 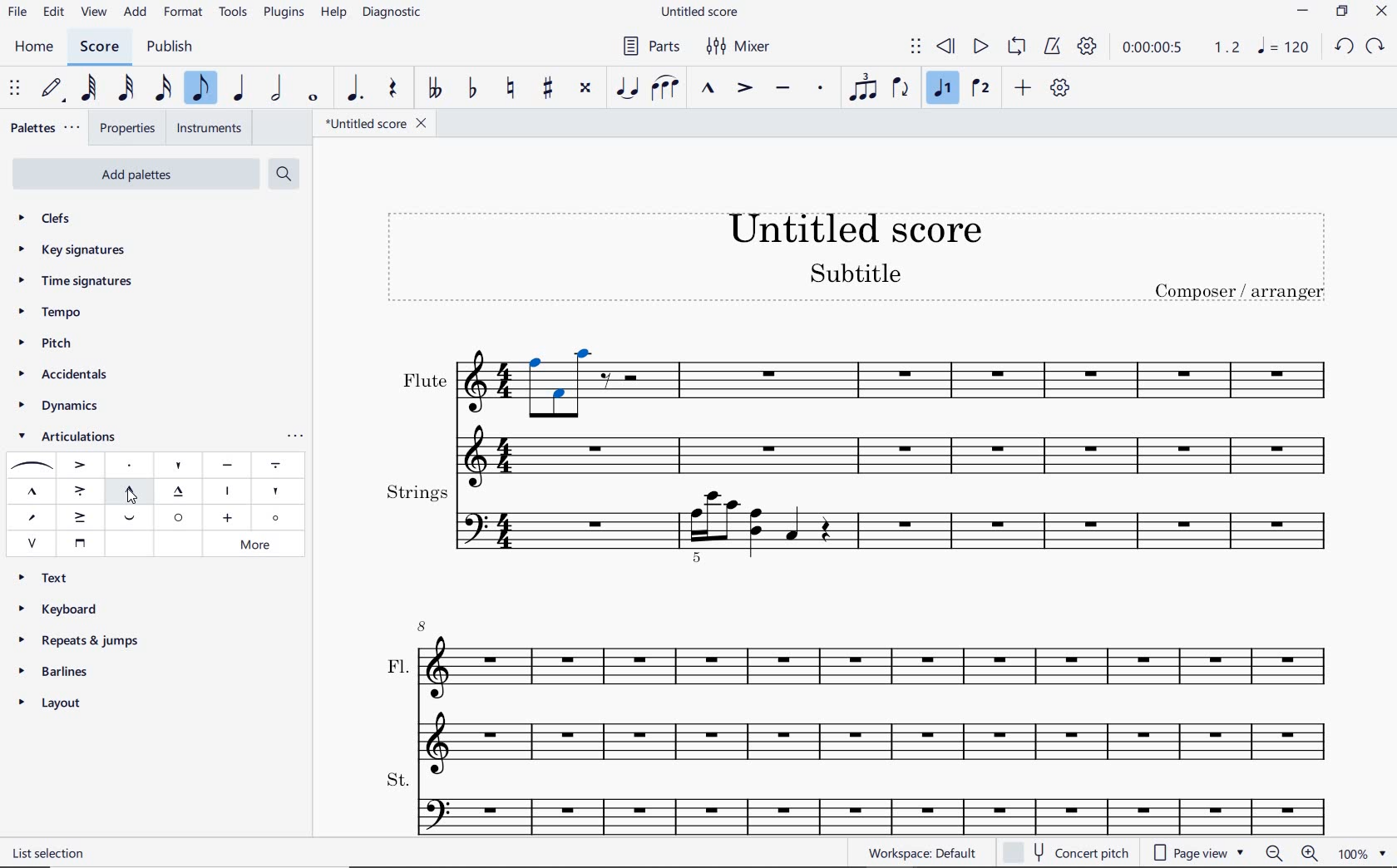 I want to click on accidentals, so click(x=62, y=376).